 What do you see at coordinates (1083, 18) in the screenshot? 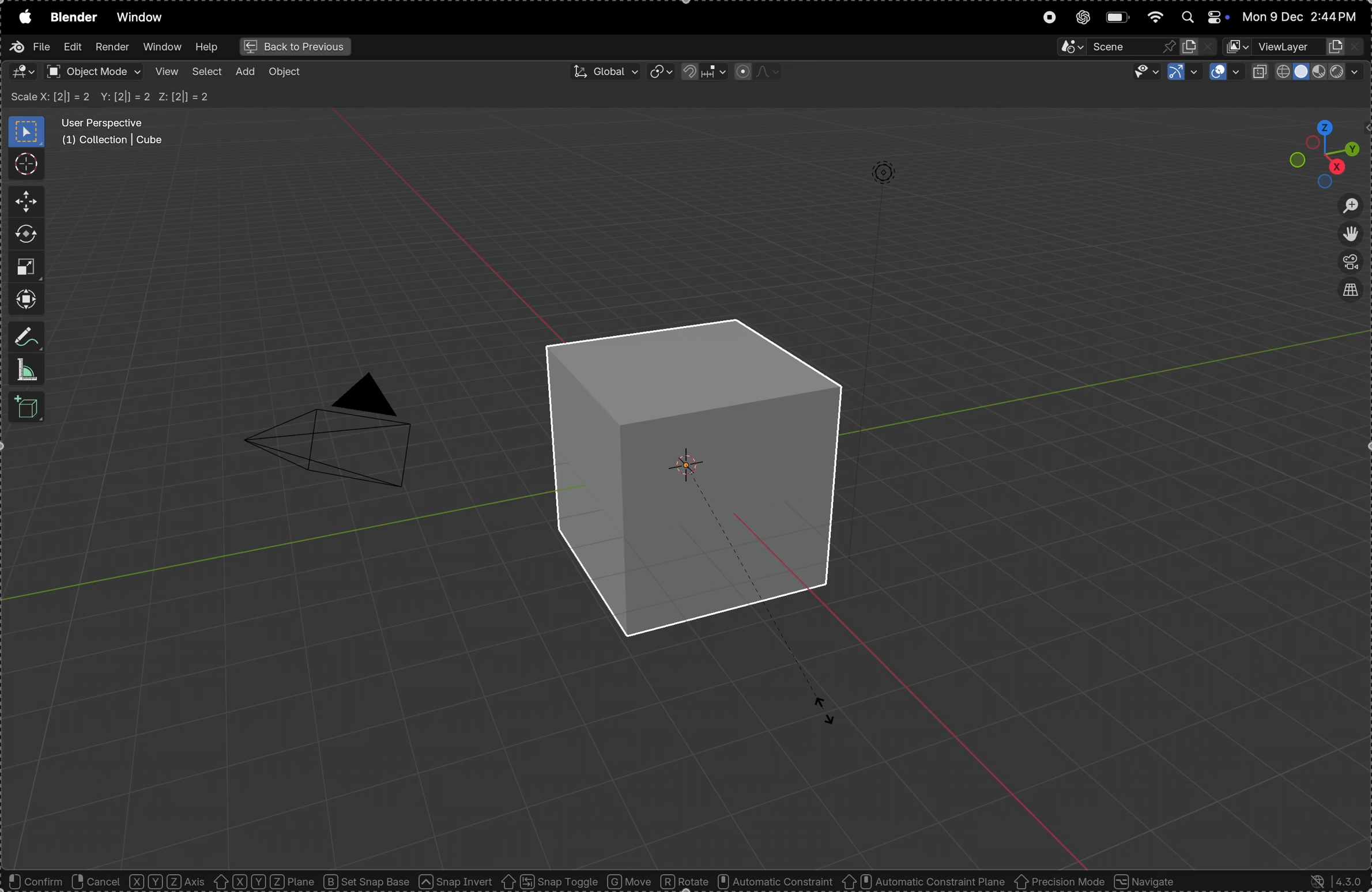
I see `chatgpt` at bounding box center [1083, 18].